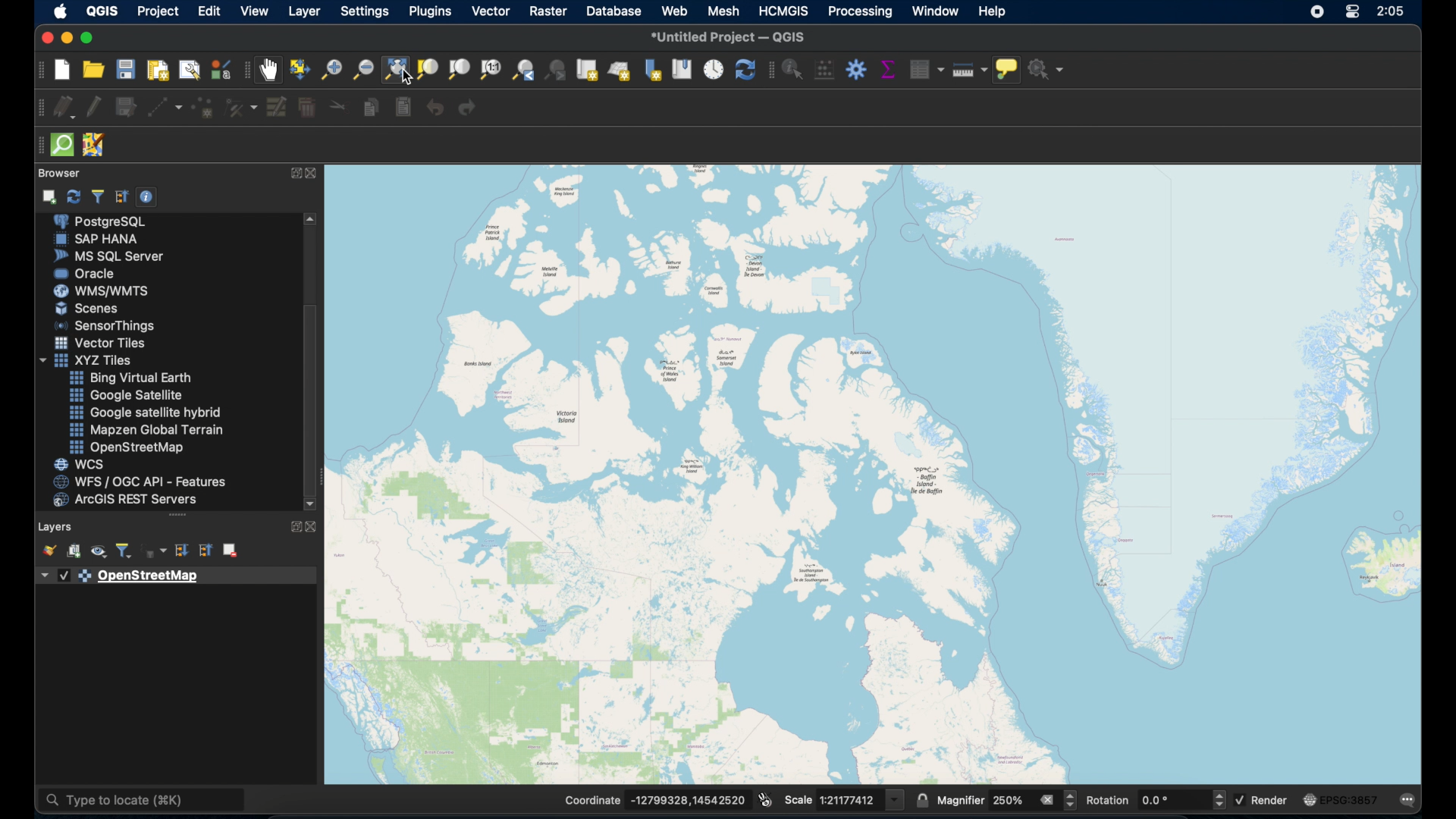  I want to click on close, so click(312, 527).